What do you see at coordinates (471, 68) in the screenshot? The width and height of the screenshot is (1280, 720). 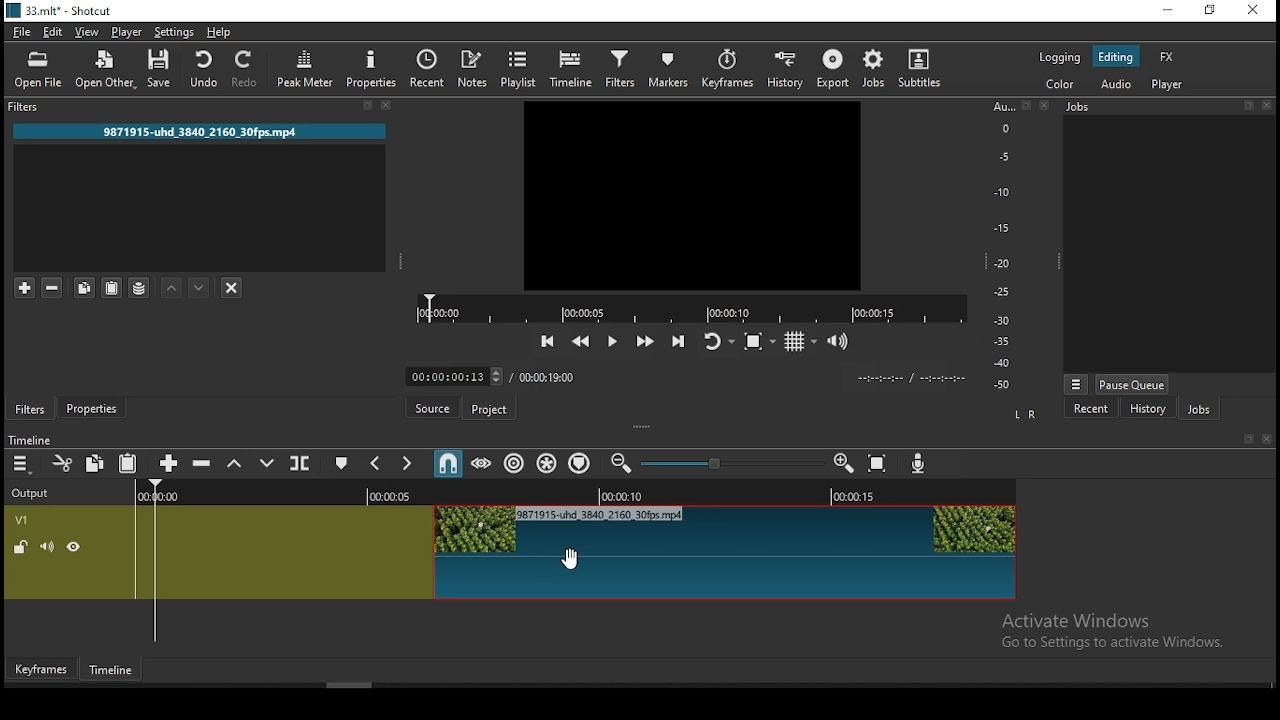 I see `notes` at bounding box center [471, 68].